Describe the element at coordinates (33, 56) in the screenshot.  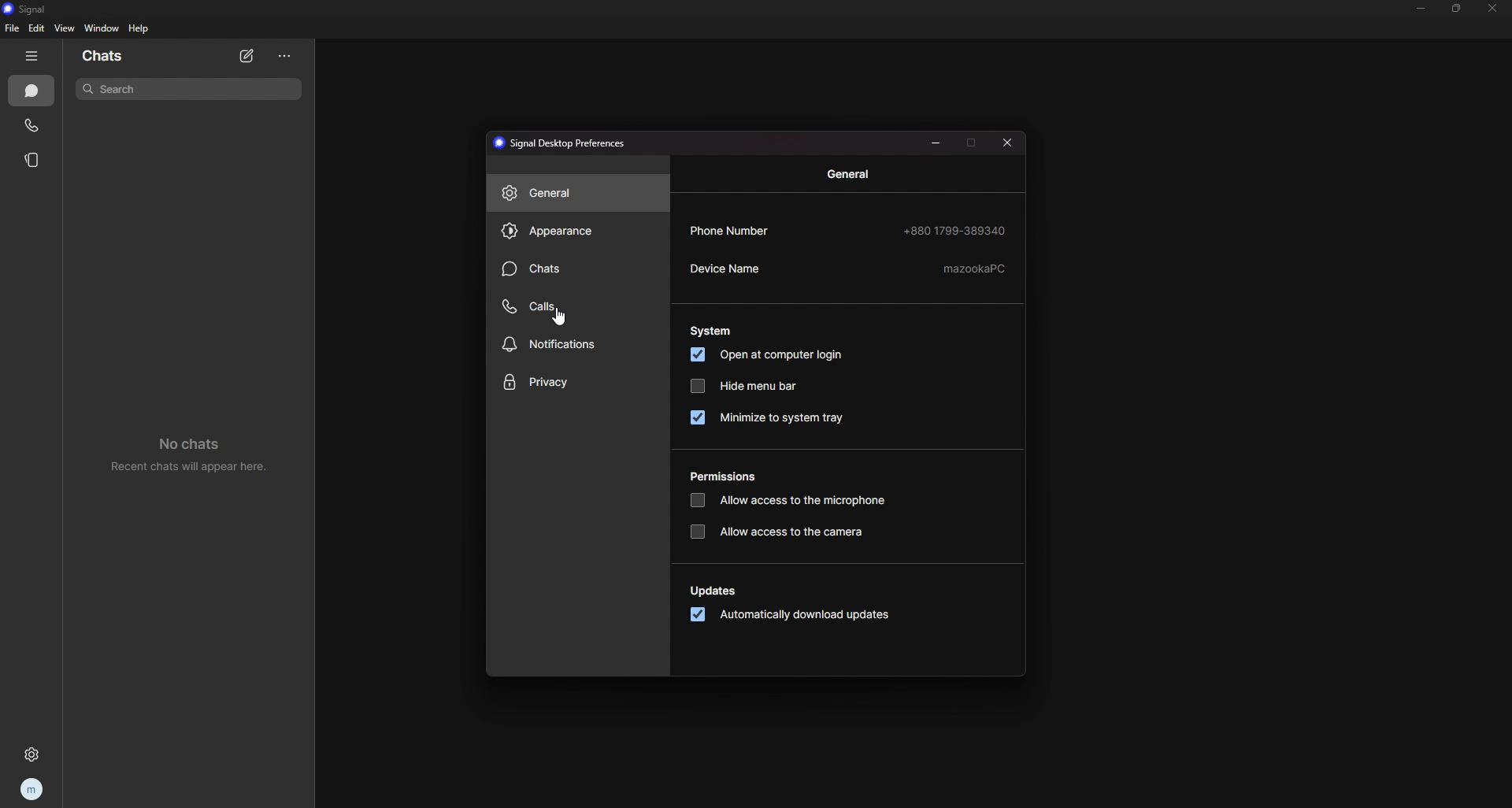
I see `hide tab` at that location.